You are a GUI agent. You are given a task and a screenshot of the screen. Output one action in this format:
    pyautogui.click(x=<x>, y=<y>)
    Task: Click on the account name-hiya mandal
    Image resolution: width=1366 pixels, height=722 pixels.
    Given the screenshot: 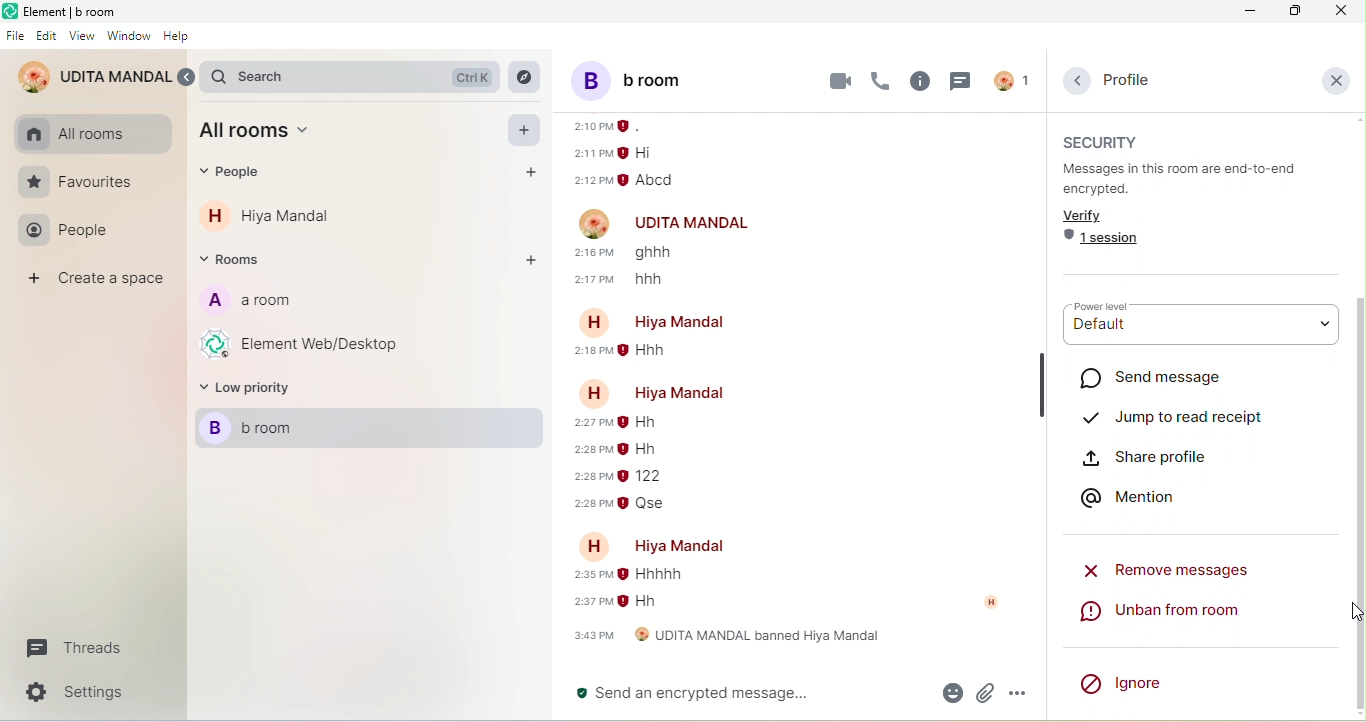 What is the action you would take?
    pyautogui.click(x=663, y=321)
    